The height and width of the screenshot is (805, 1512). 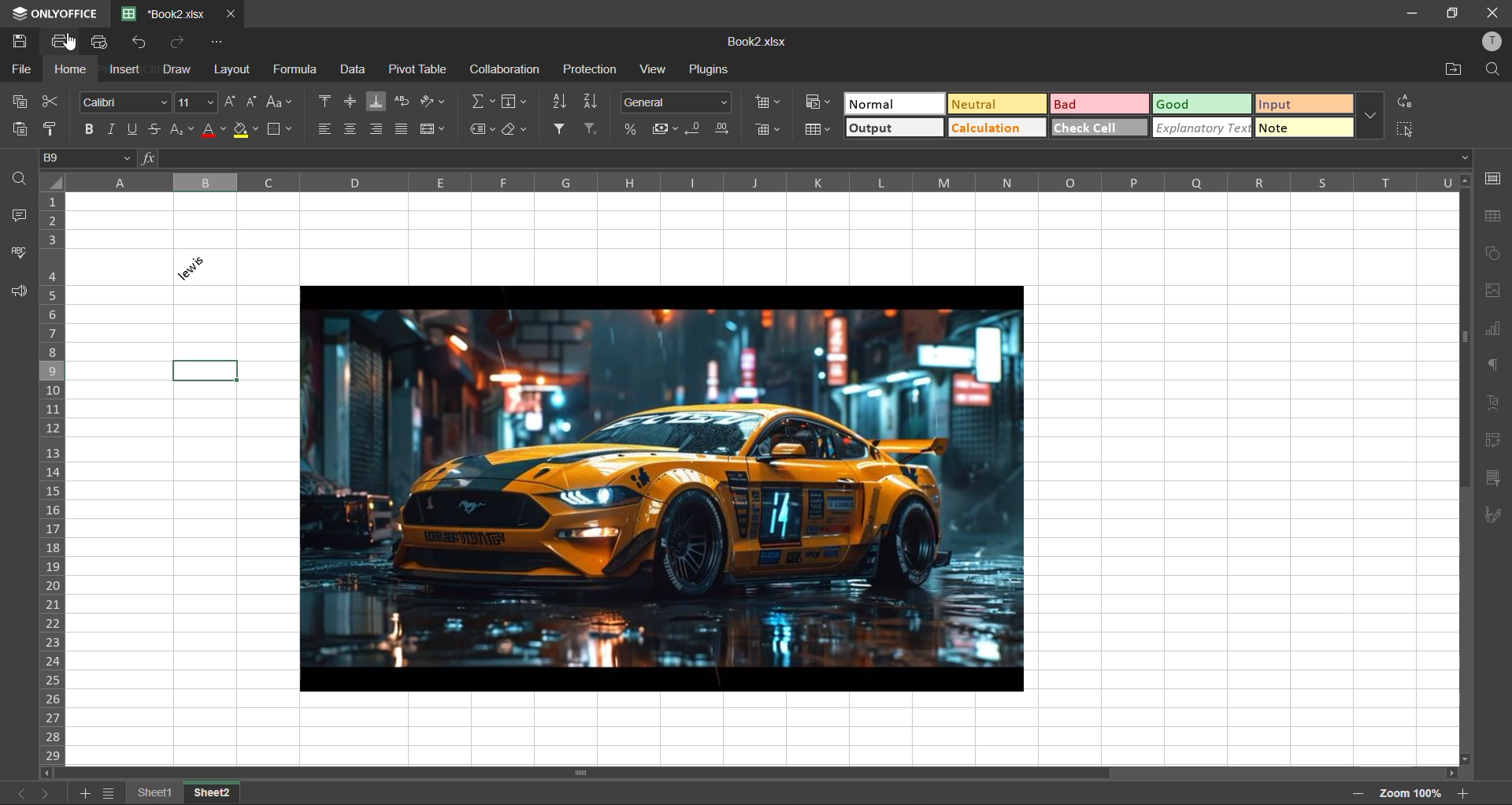 I want to click on font style, so click(x=125, y=101).